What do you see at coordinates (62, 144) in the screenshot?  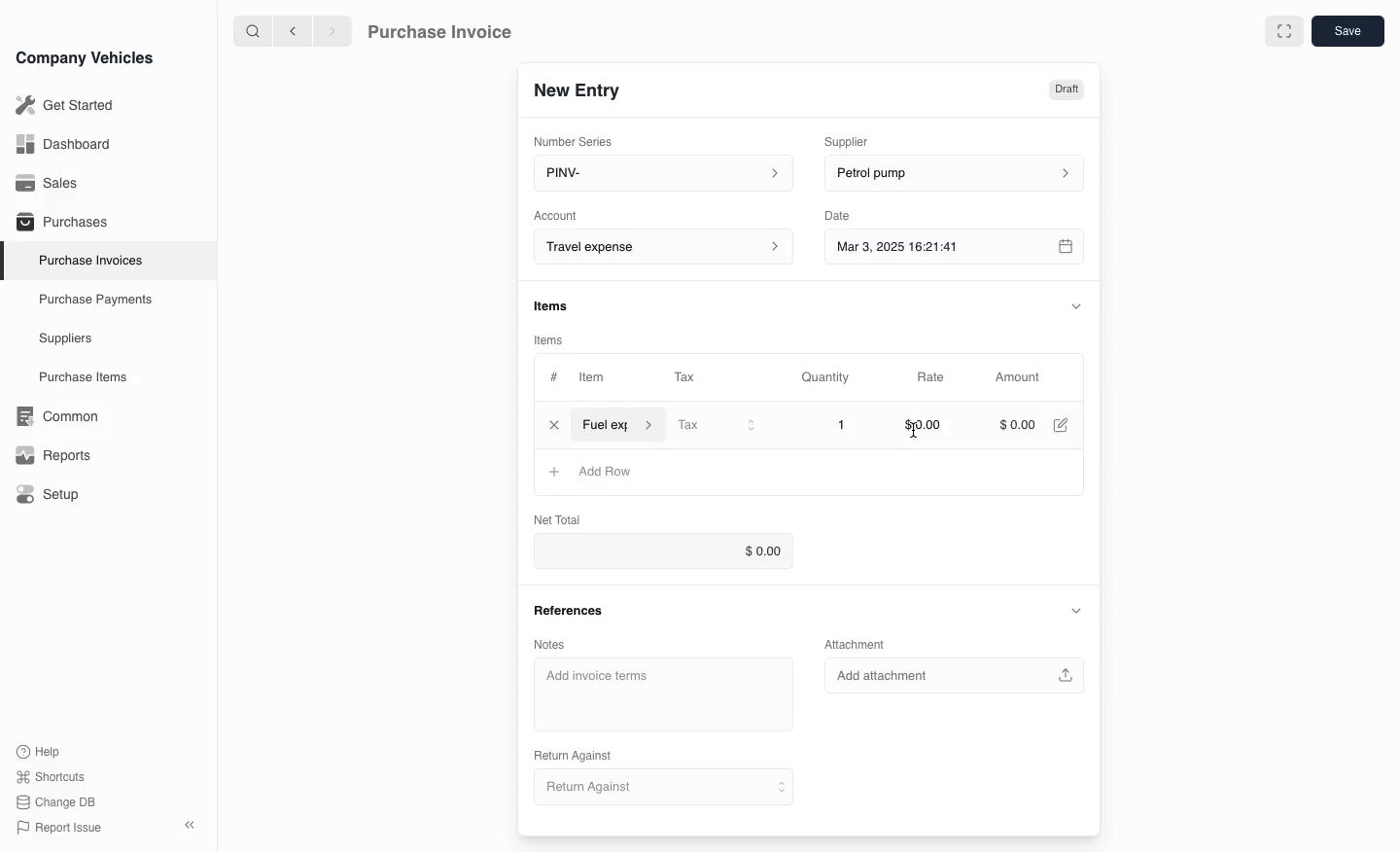 I see `Dashboard` at bounding box center [62, 144].